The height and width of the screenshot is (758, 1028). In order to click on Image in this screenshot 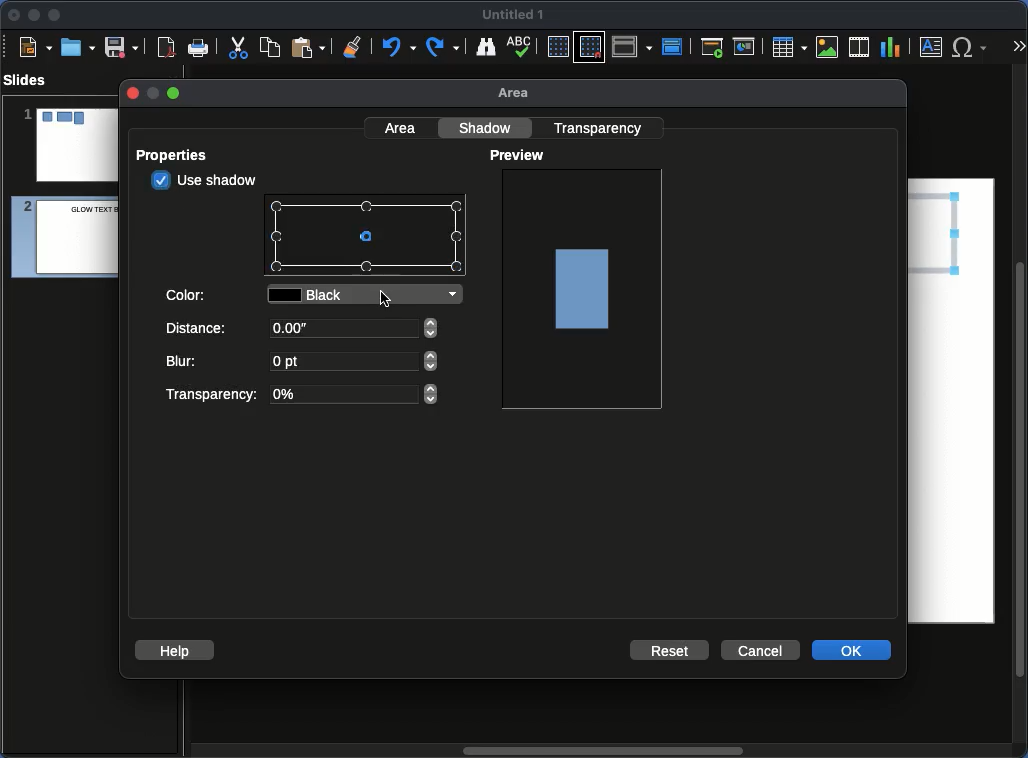, I will do `click(584, 287)`.